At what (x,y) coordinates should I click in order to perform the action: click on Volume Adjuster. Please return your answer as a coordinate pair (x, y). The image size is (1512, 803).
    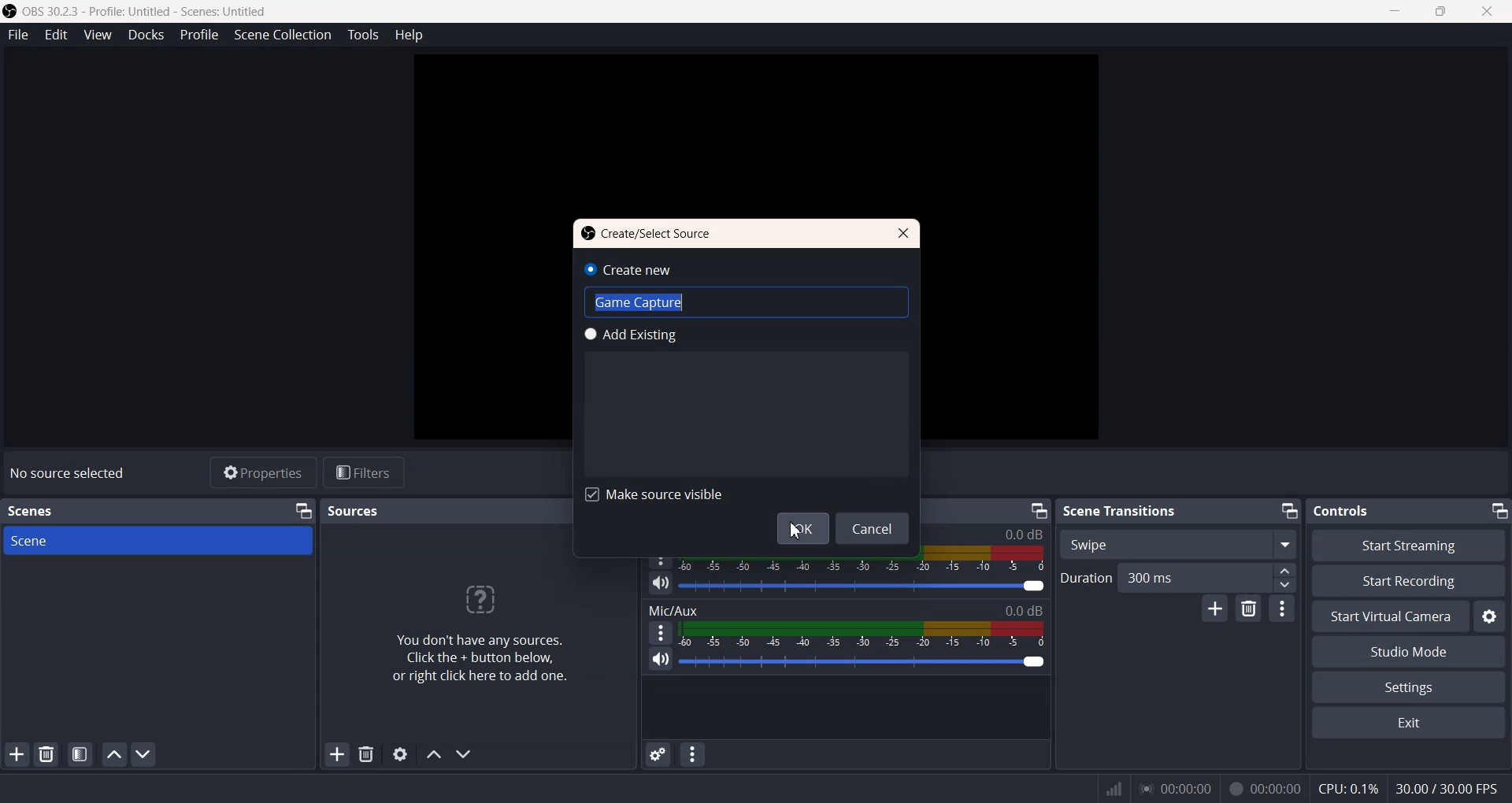
    Looking at the image, I should click on (865, 587).